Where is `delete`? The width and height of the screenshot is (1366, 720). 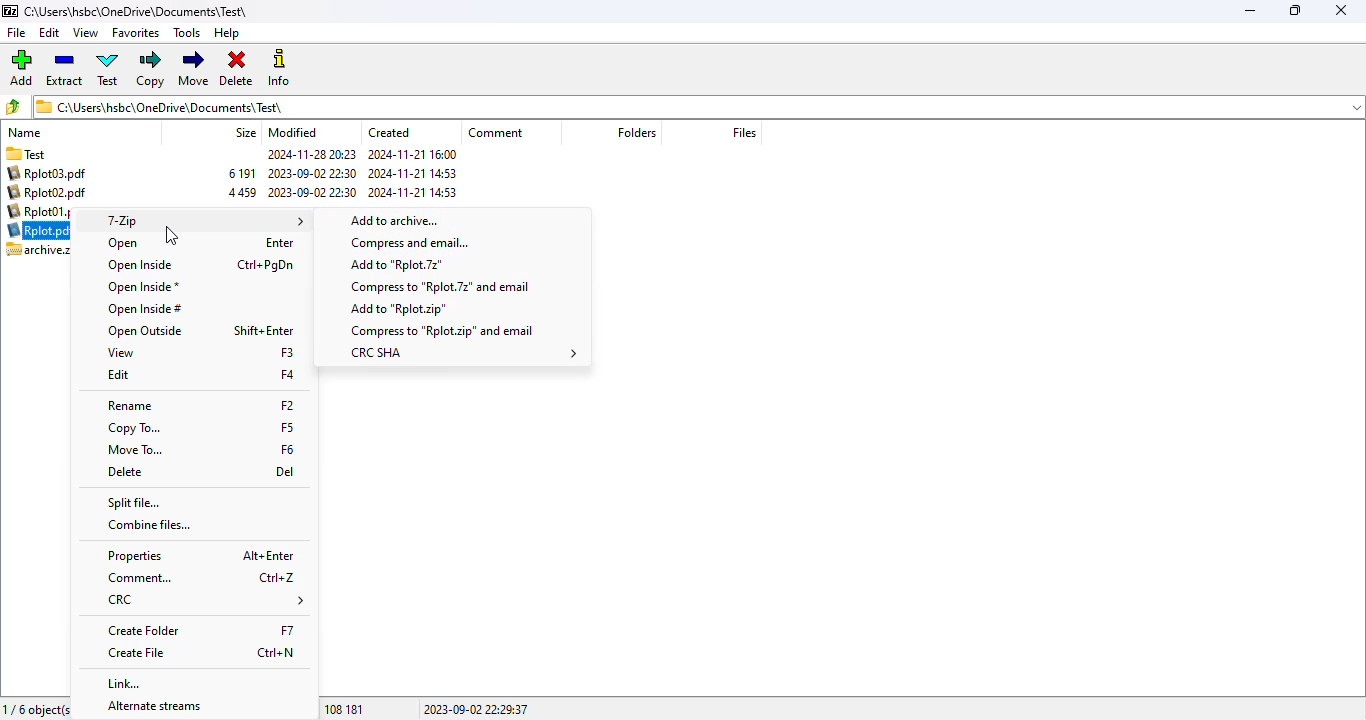
delete is located at coordinates (126, 472).